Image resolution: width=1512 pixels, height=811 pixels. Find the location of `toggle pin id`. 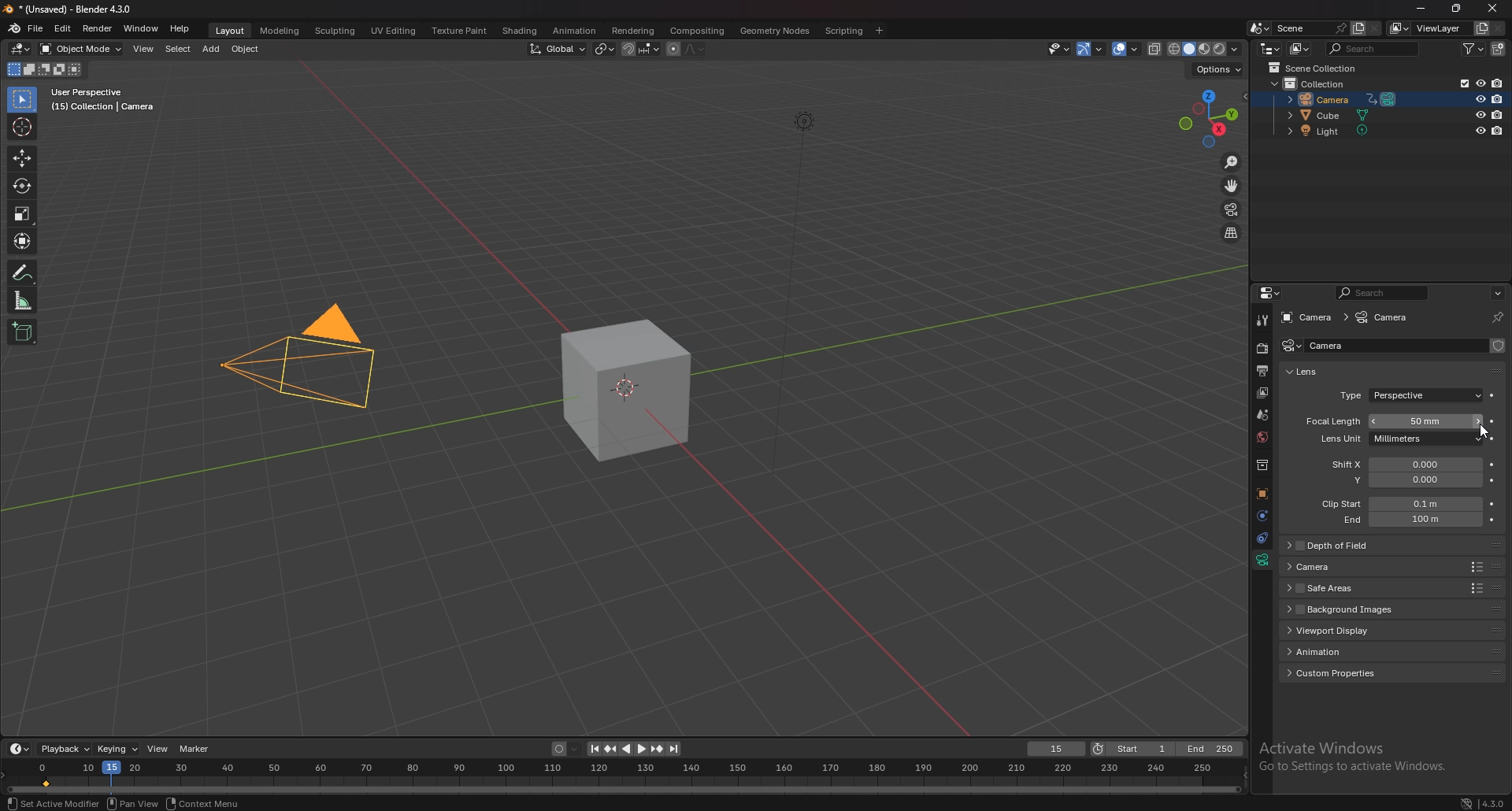

toggle pin id is located at coordinates (1495, 318).